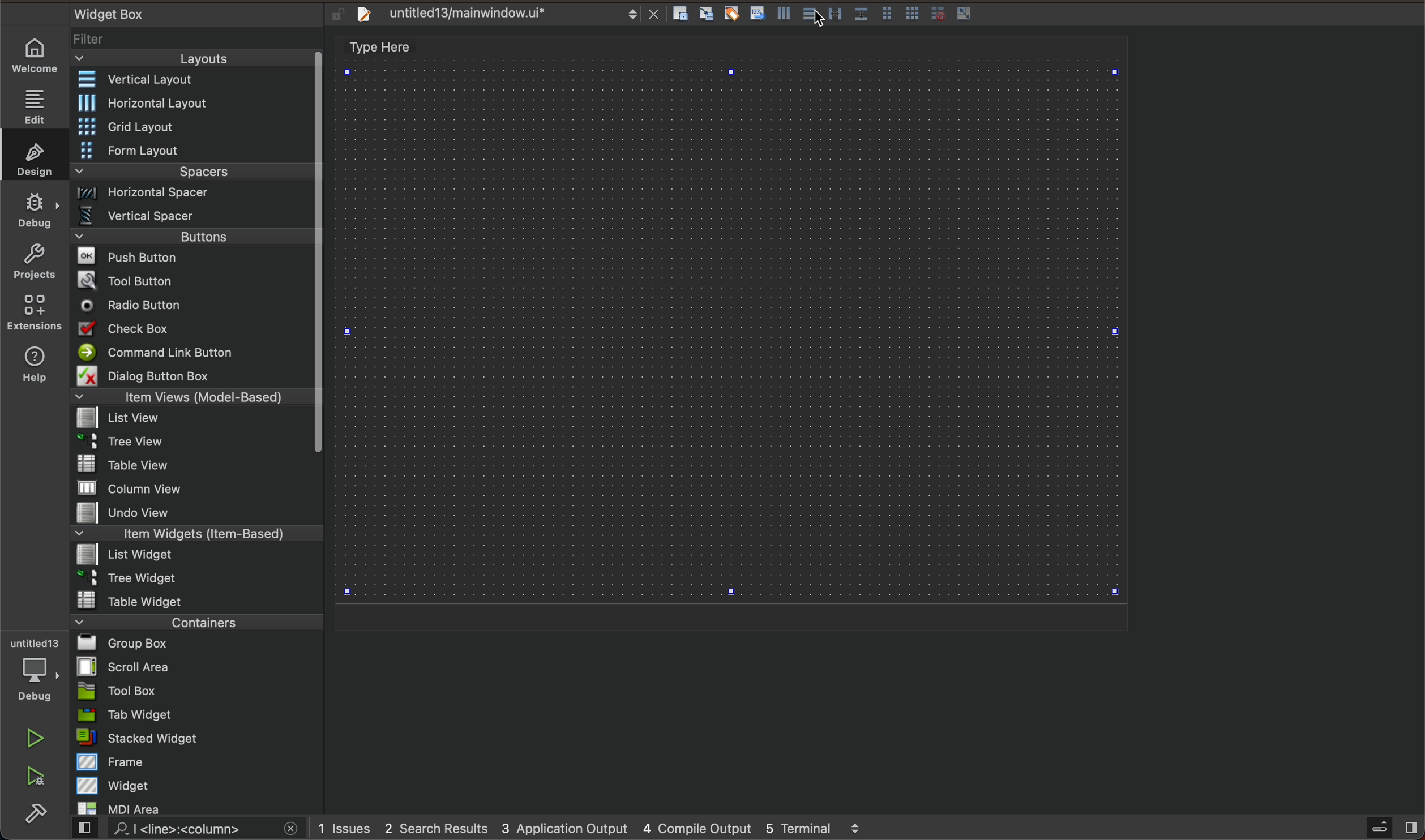 The width and height of the screenshot is (1425, 840). Describe the element at coordinates (888, 11) in the screenshot. I see `form layout` at that location.